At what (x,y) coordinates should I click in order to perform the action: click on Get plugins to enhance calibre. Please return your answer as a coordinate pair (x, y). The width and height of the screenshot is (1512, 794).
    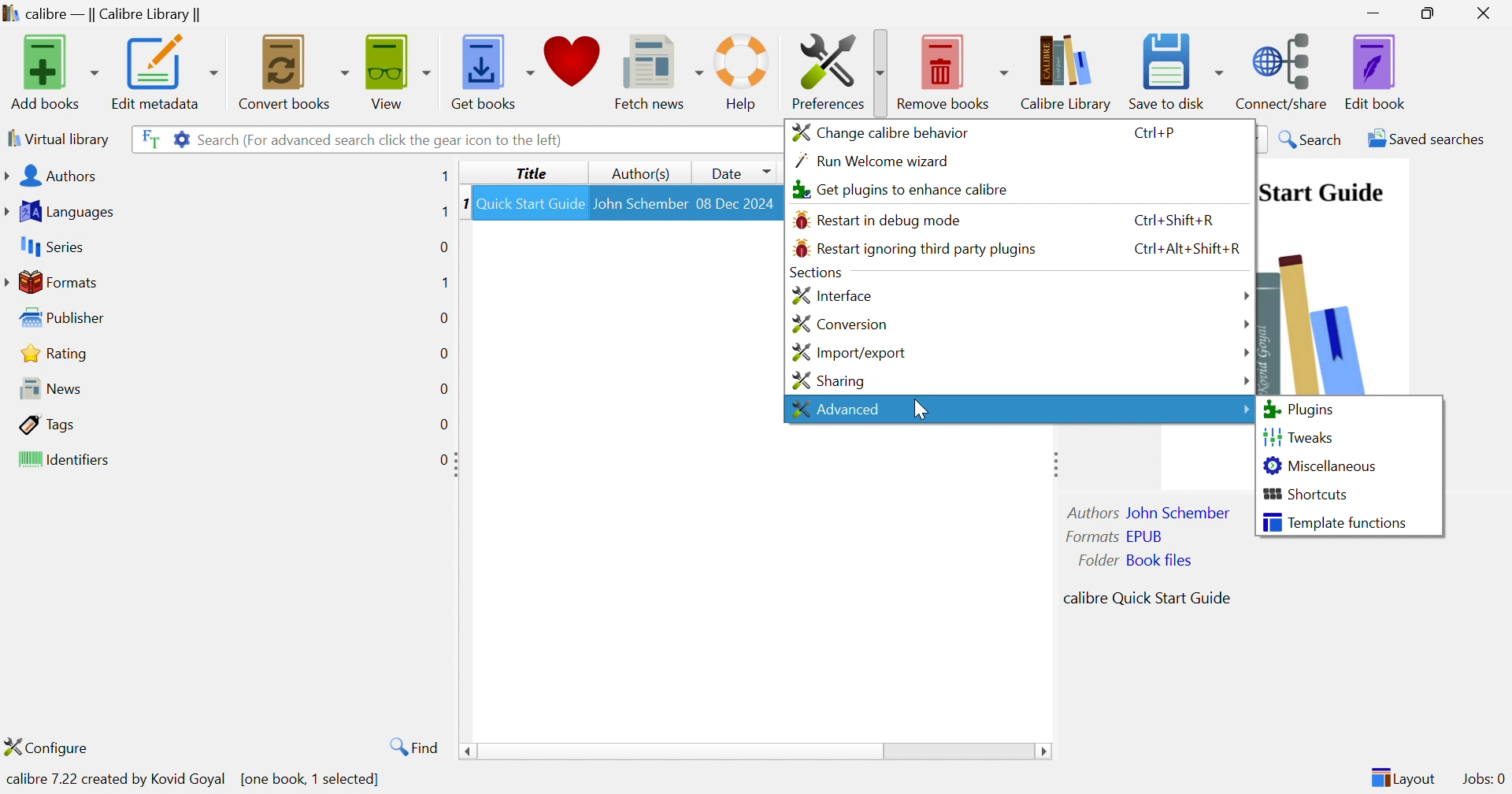
    Looking at the image, I should click on (897, 190).